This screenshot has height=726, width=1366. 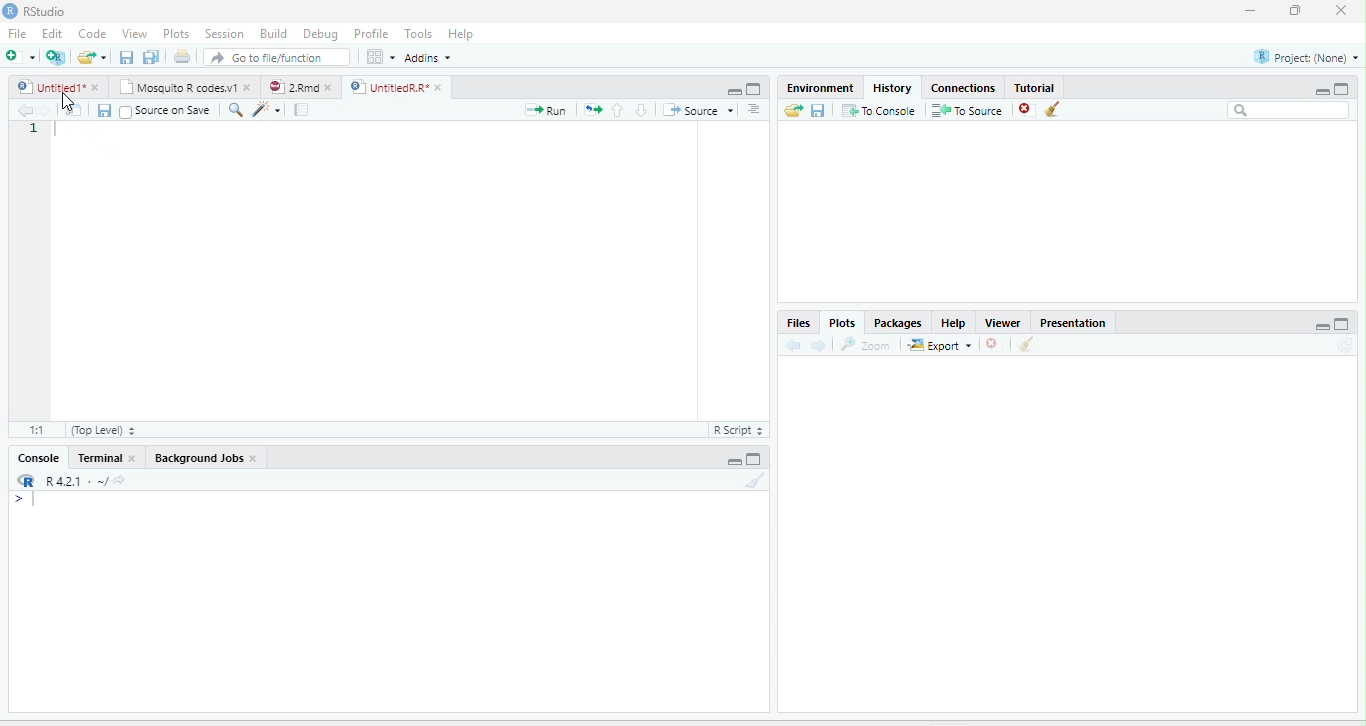 I want to click on Clear all plots, so click(x=1027, y=344).